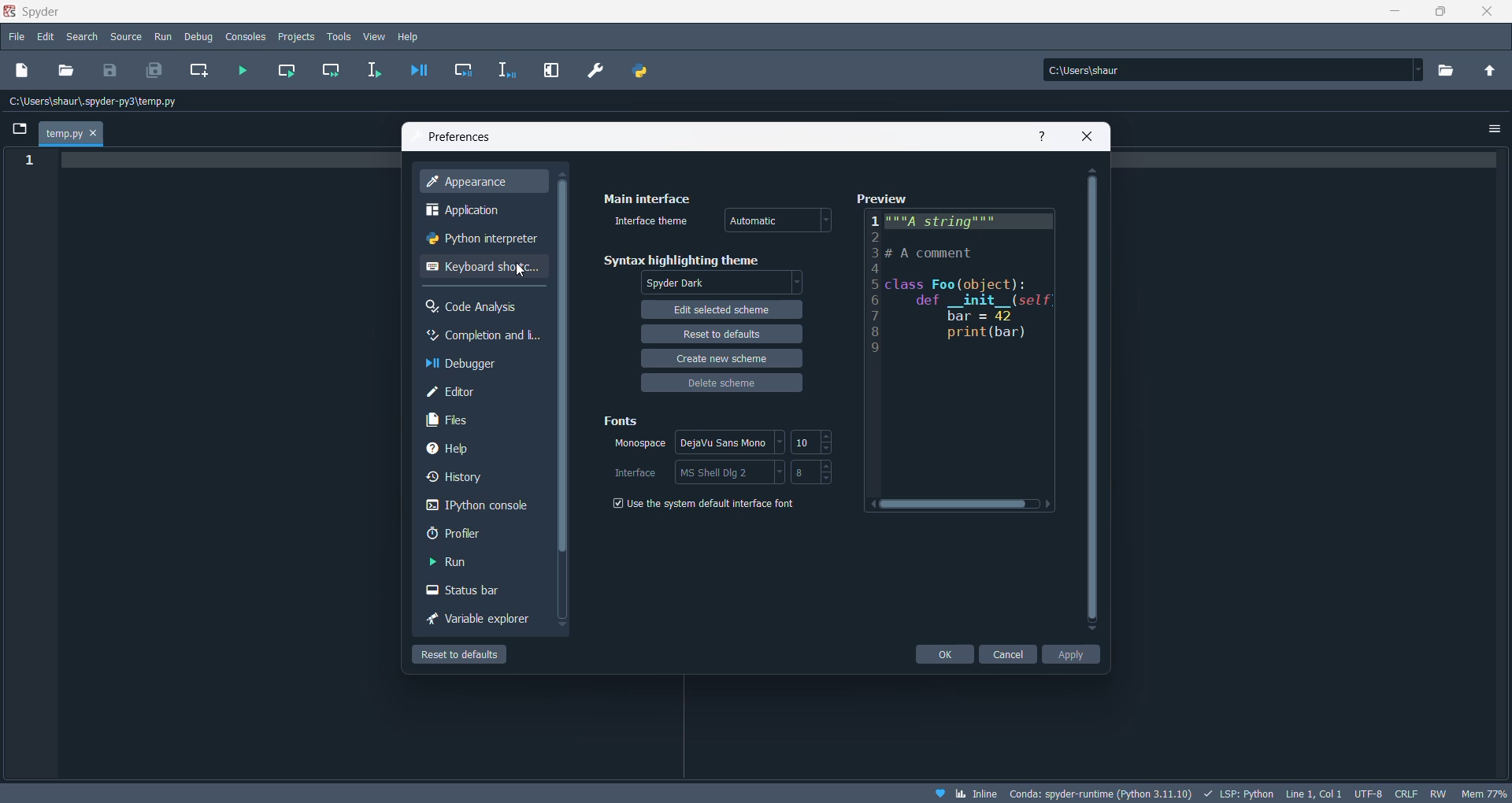  Describe the element at coordinates (655, 222) in the screenshot. I see `interface theme text` at that location.